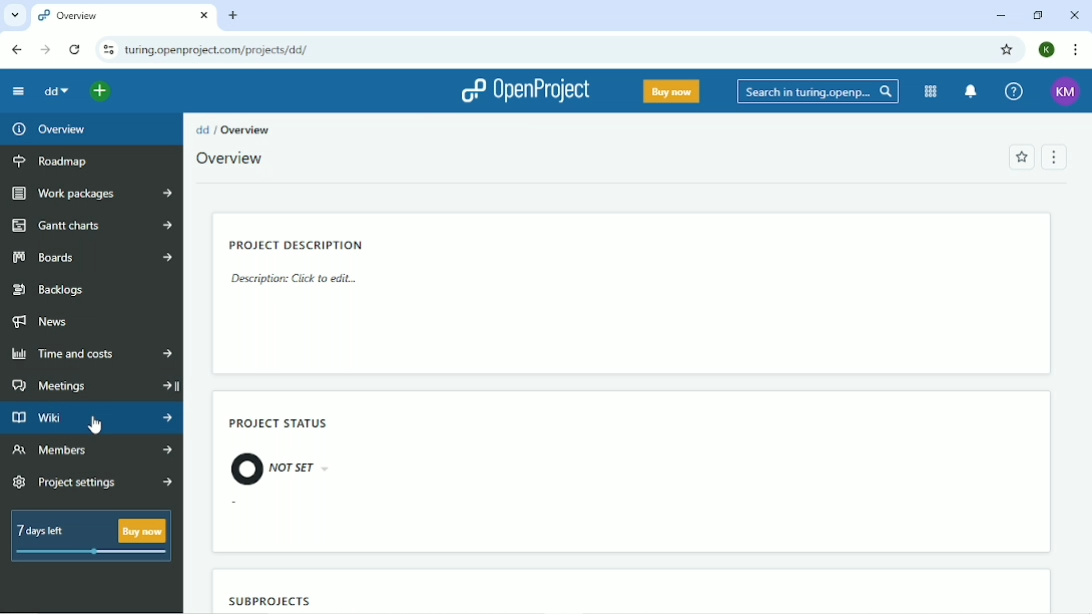  Describe the element at coordinates (49, 290) in the screenshot. I see `Backlogs` at that location.